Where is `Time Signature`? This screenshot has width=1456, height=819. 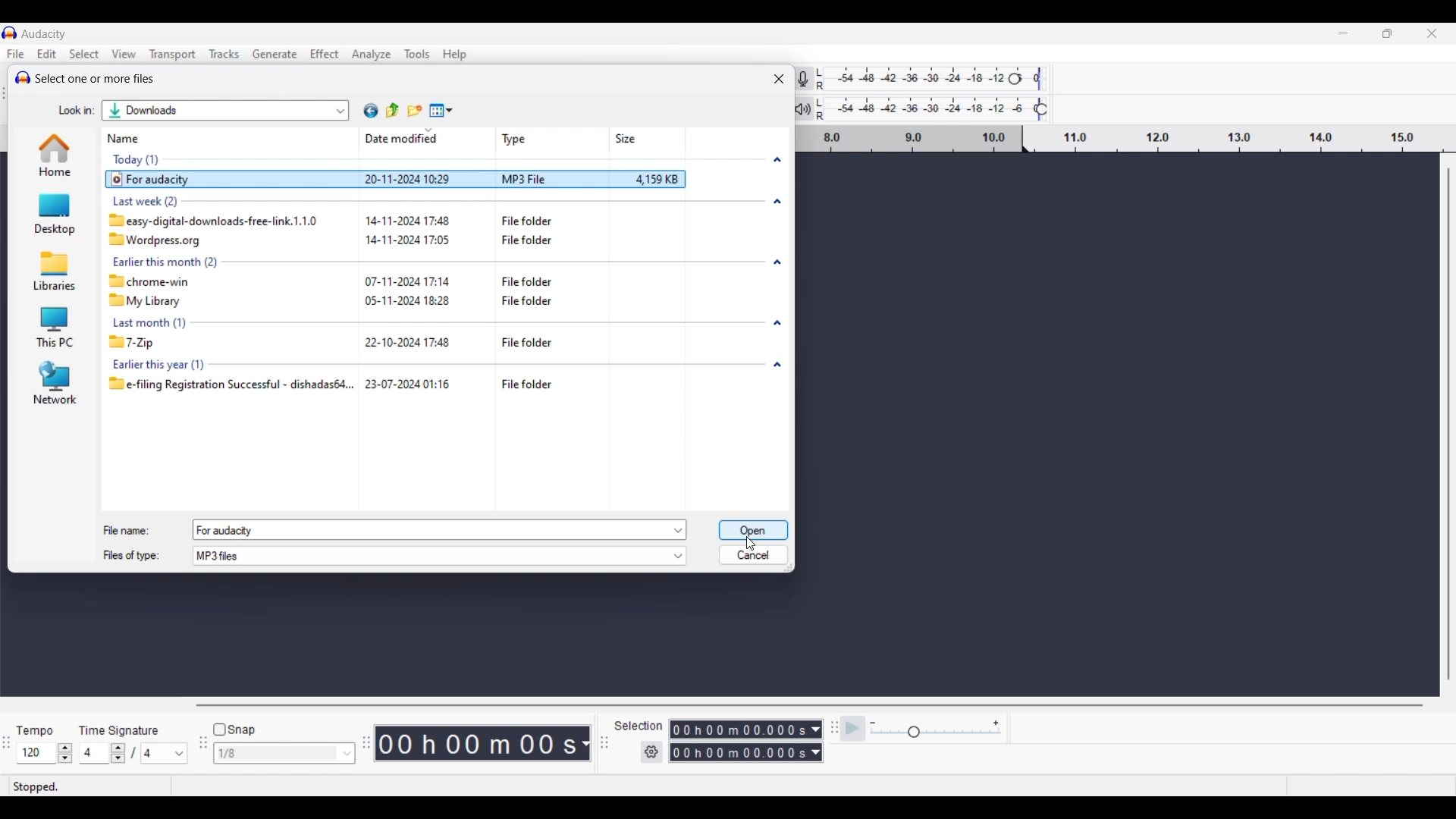 Time Signature is located at coordinates (122, 727).